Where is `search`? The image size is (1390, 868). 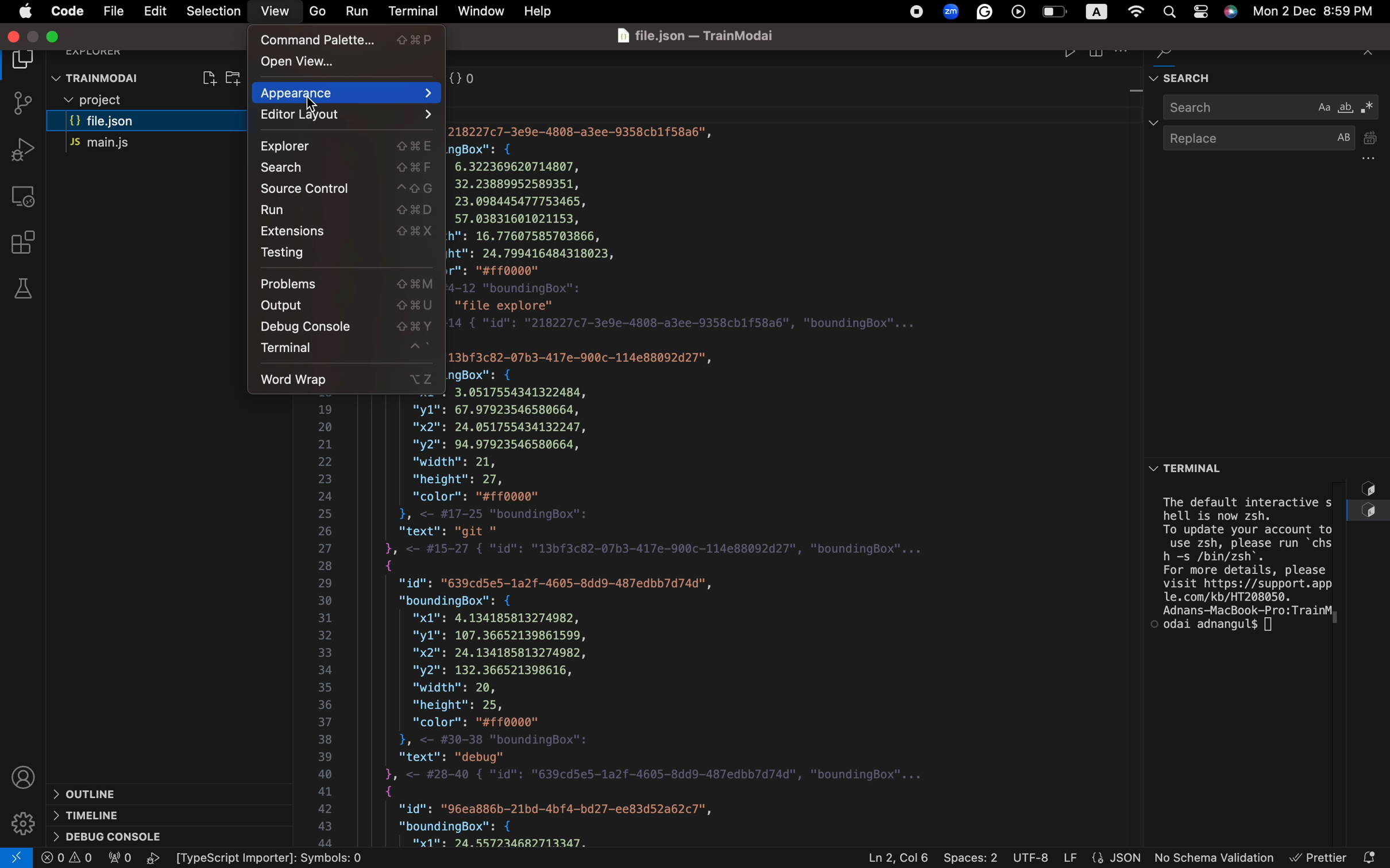
search is located at coordinates (1272, 107).